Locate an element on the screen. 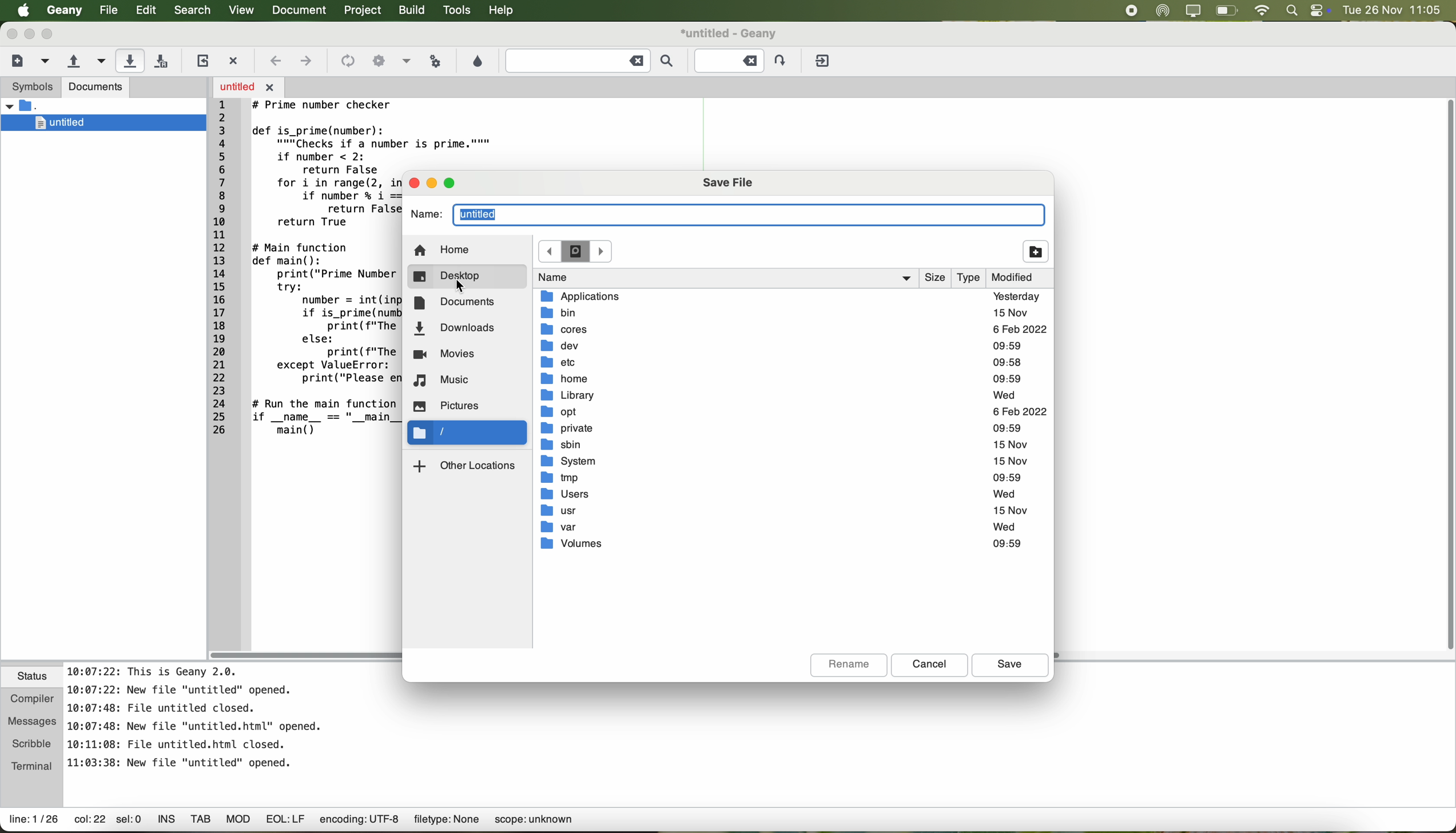 The image size is (1456, 833). home is located at coordinates (443, 251).